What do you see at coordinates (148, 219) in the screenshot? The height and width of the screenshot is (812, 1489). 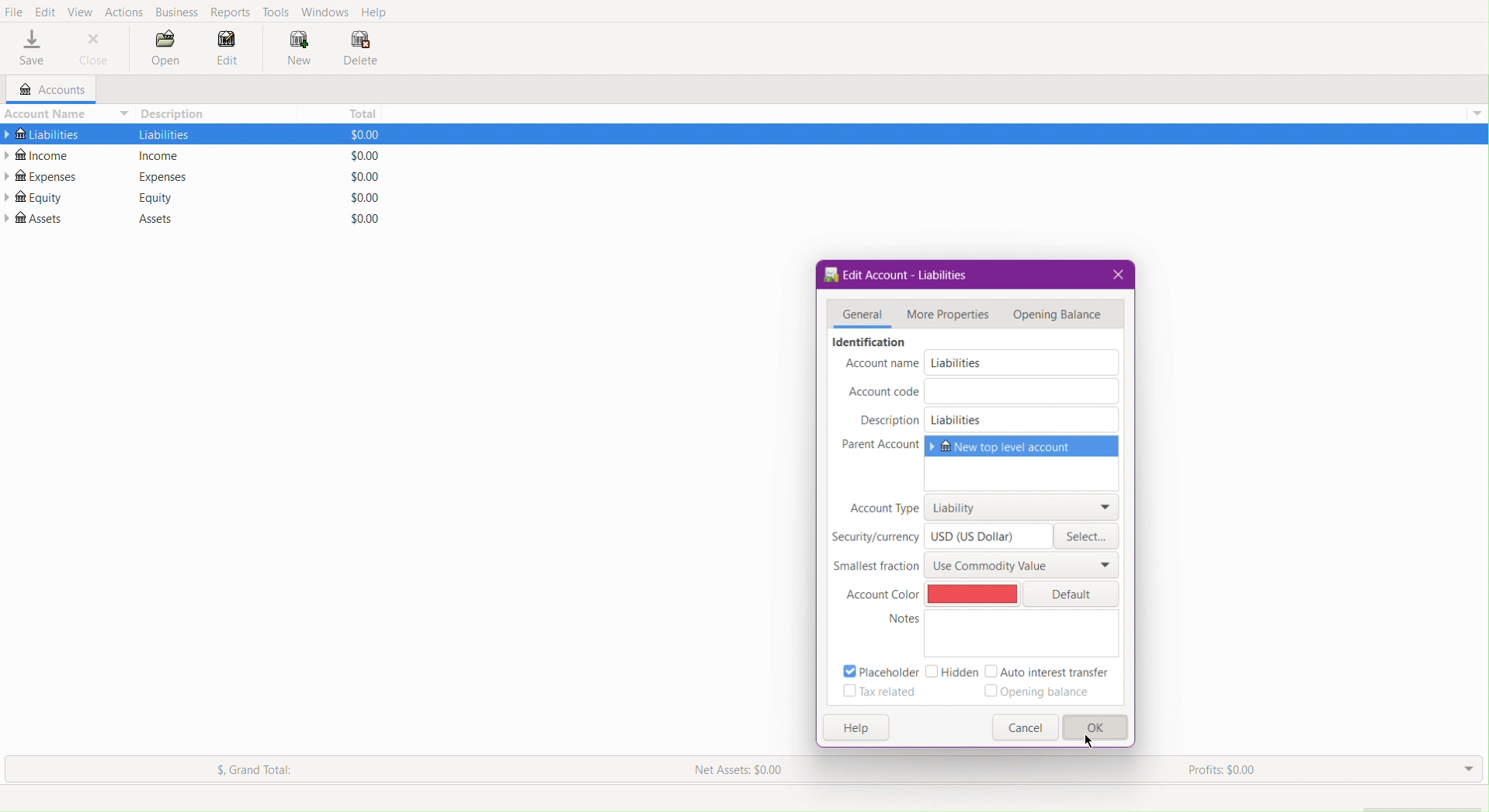 I see `Assets` at bounding box center [148, 219].